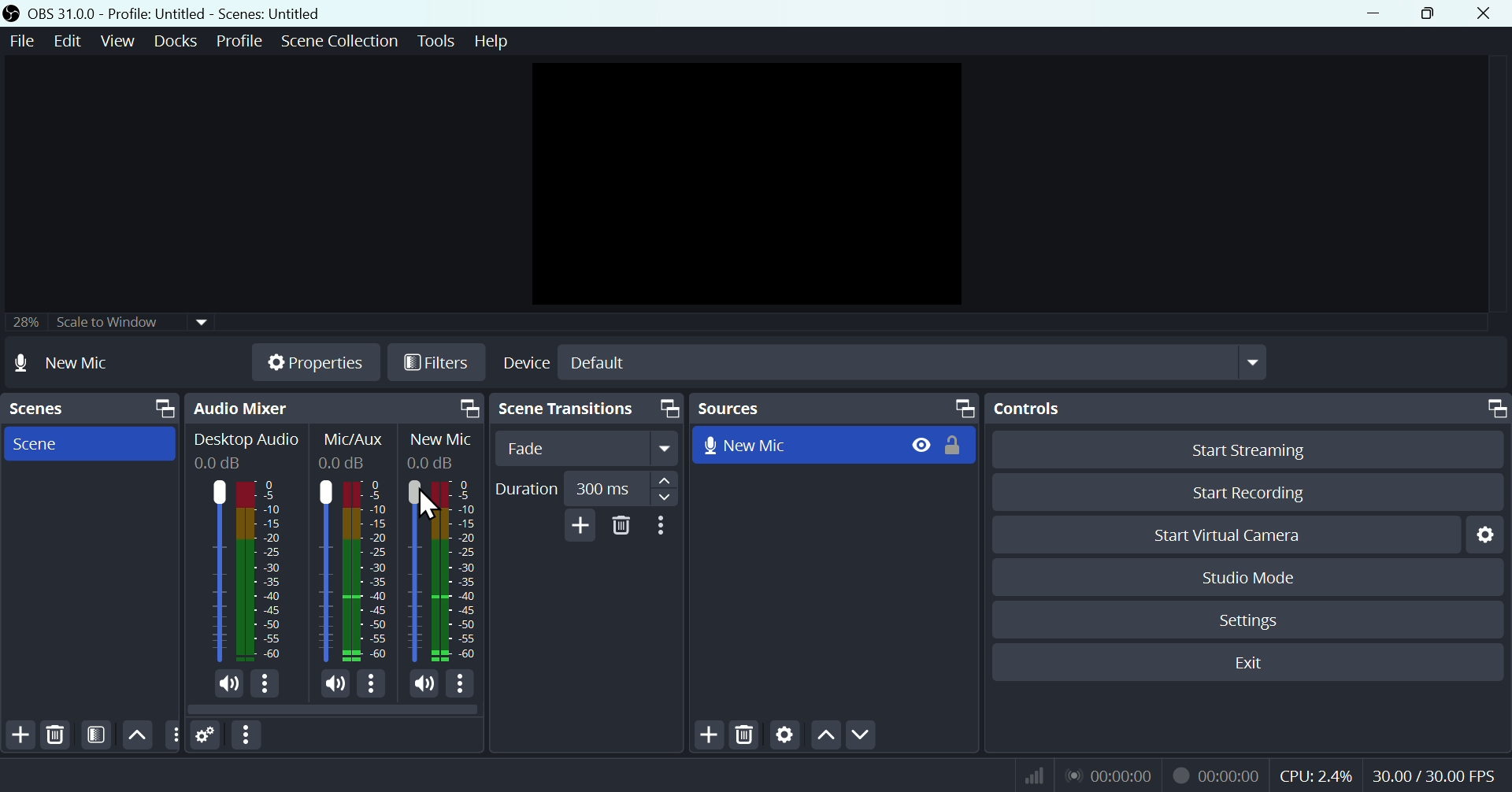 The height and width of the screenshot is (792, 1512). I want to click on (un)lock, so click(957, 445).